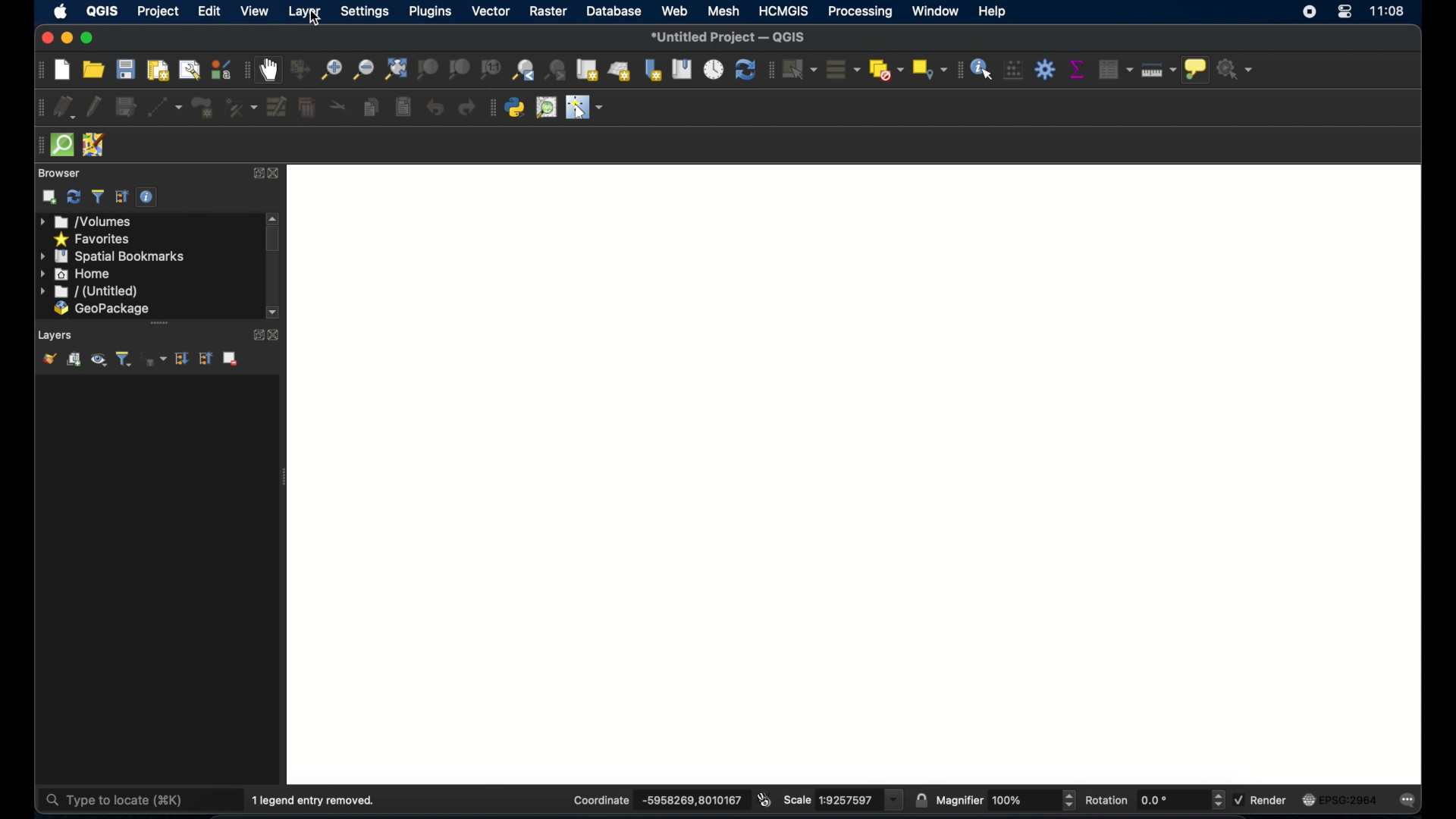  What do you see at coordinates (1311, 14) in the screenshot?
I see `screen recorder` at bounding box center [1311, 14].